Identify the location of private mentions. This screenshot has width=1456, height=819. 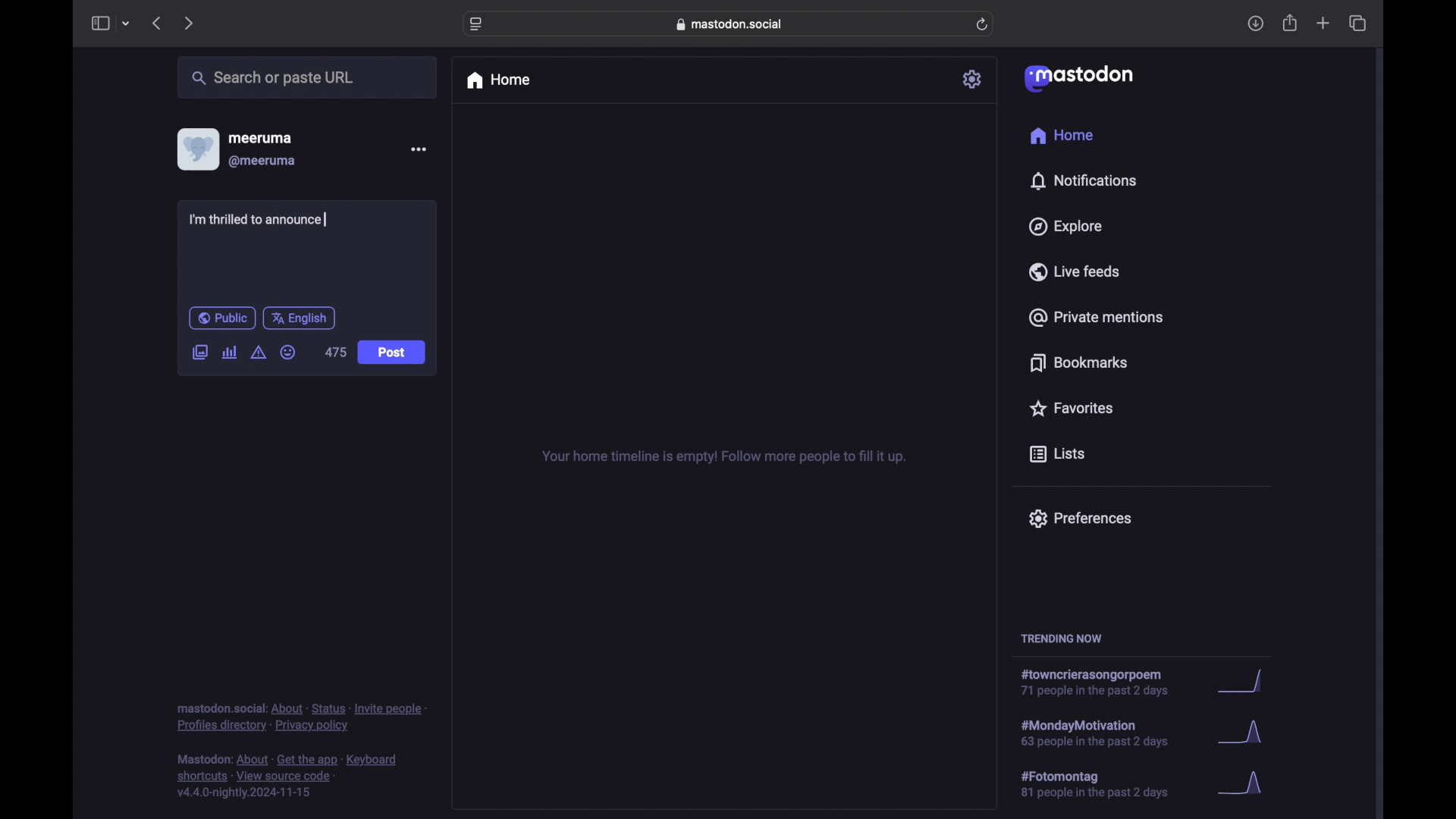
(1095, 317).